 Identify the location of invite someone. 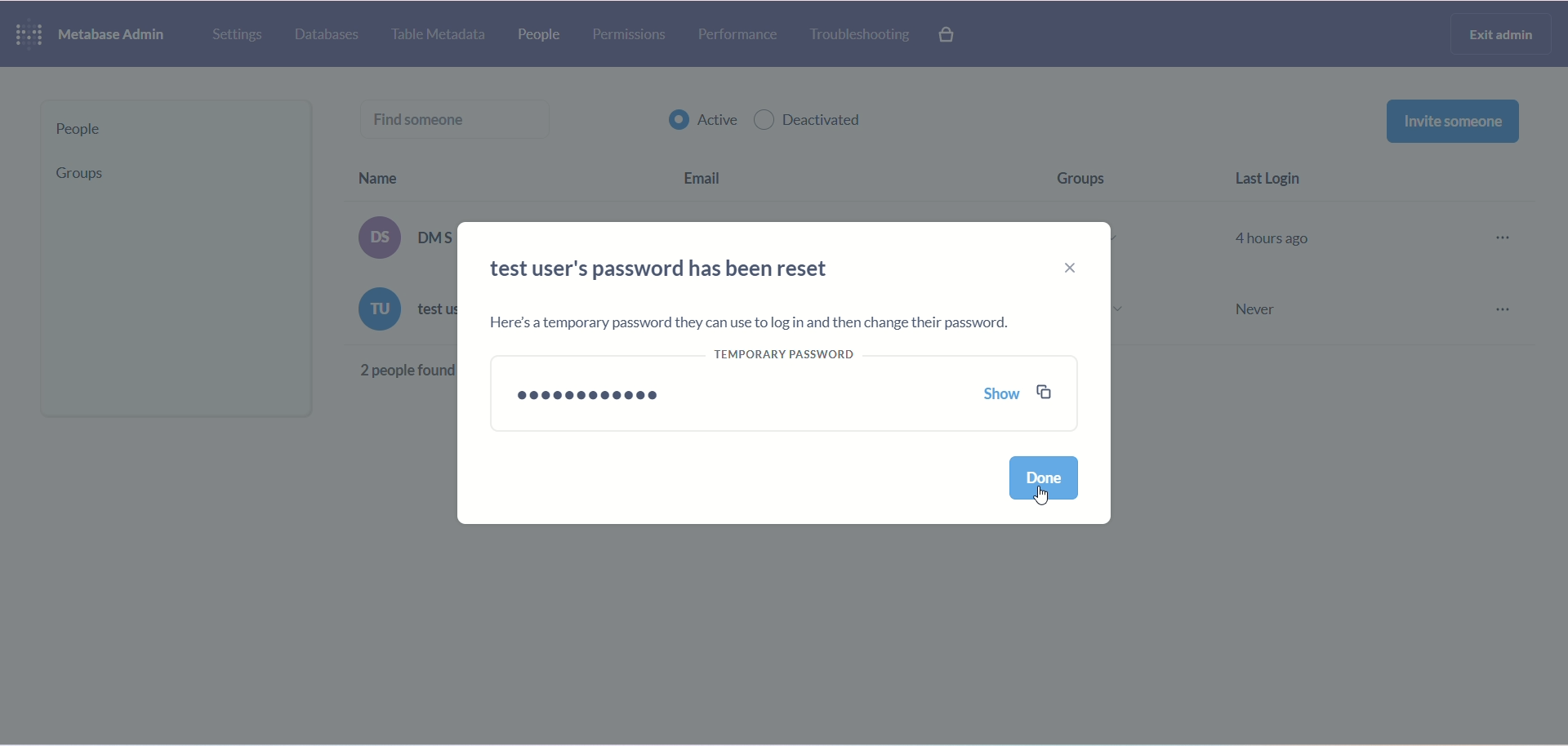
(1451, 123).